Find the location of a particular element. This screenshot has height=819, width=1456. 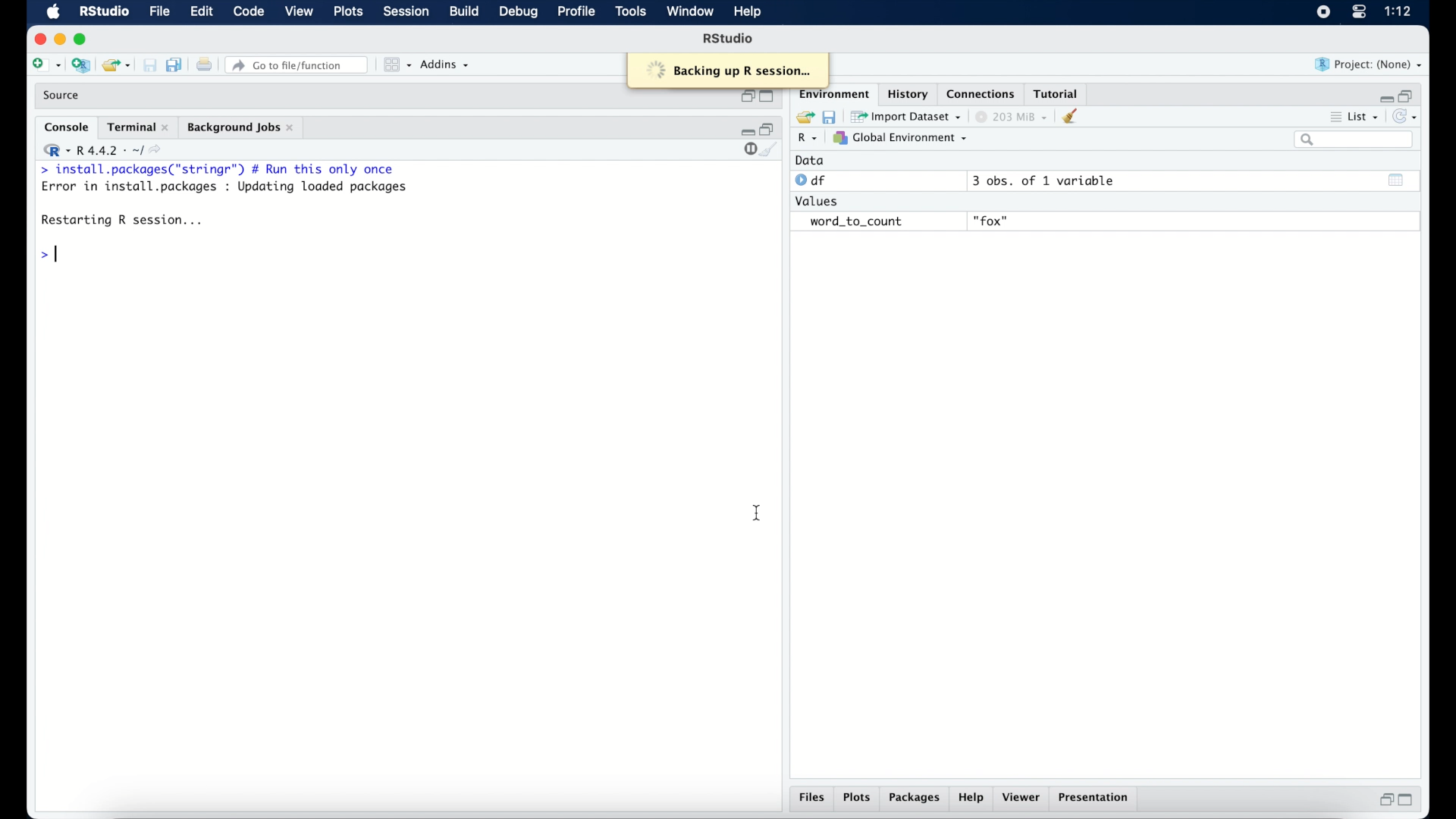

load workspace is located at coordinates (802, 118).